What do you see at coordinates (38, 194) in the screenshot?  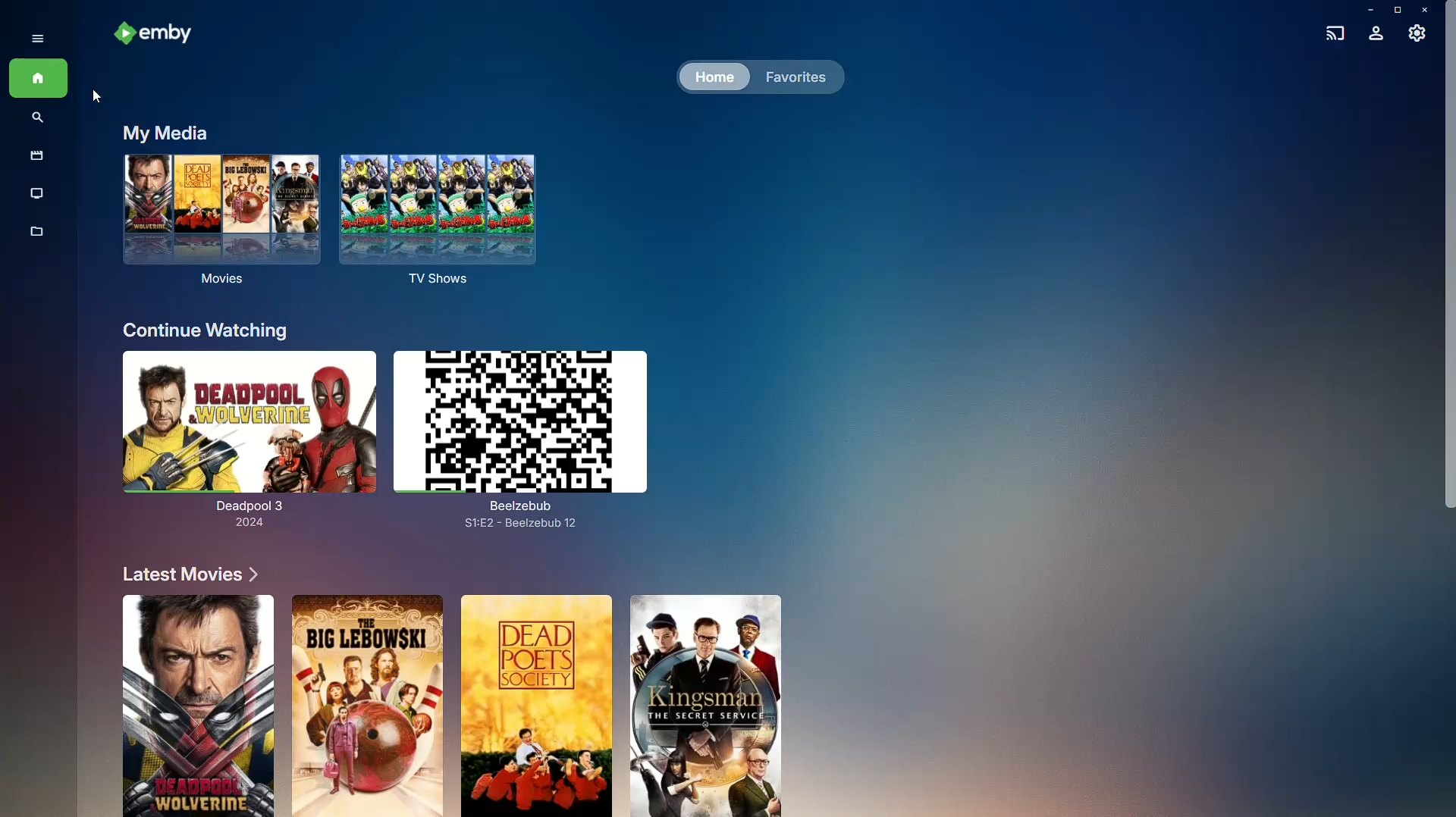 I see `TV Shows` at bounding box center [38, 194].